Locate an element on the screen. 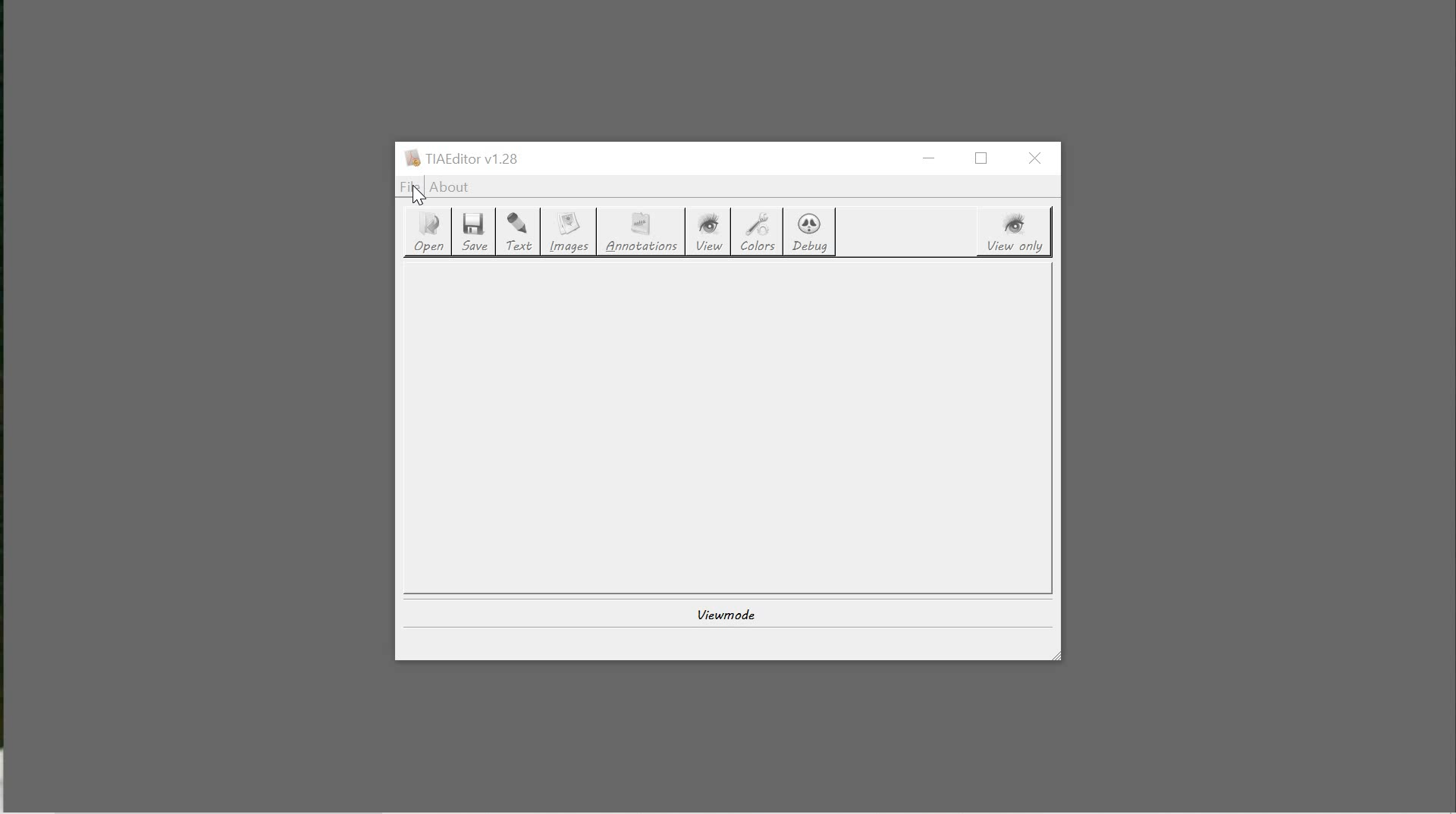  restore down is located at coordinates (986, 158).